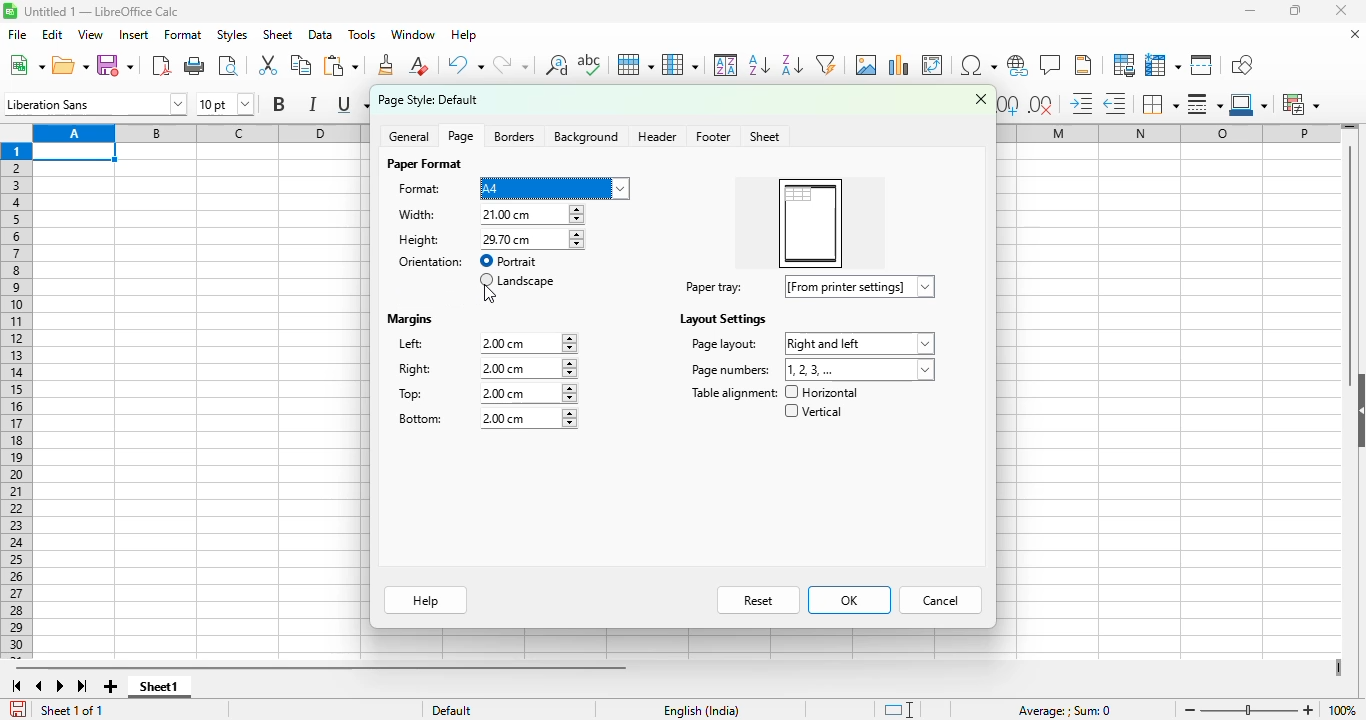 This screenshot has height=720, width=1366. What do you see at coordinates (75, 152) in the screenshot?
I see `active cell` at bounding box center [75, 152].